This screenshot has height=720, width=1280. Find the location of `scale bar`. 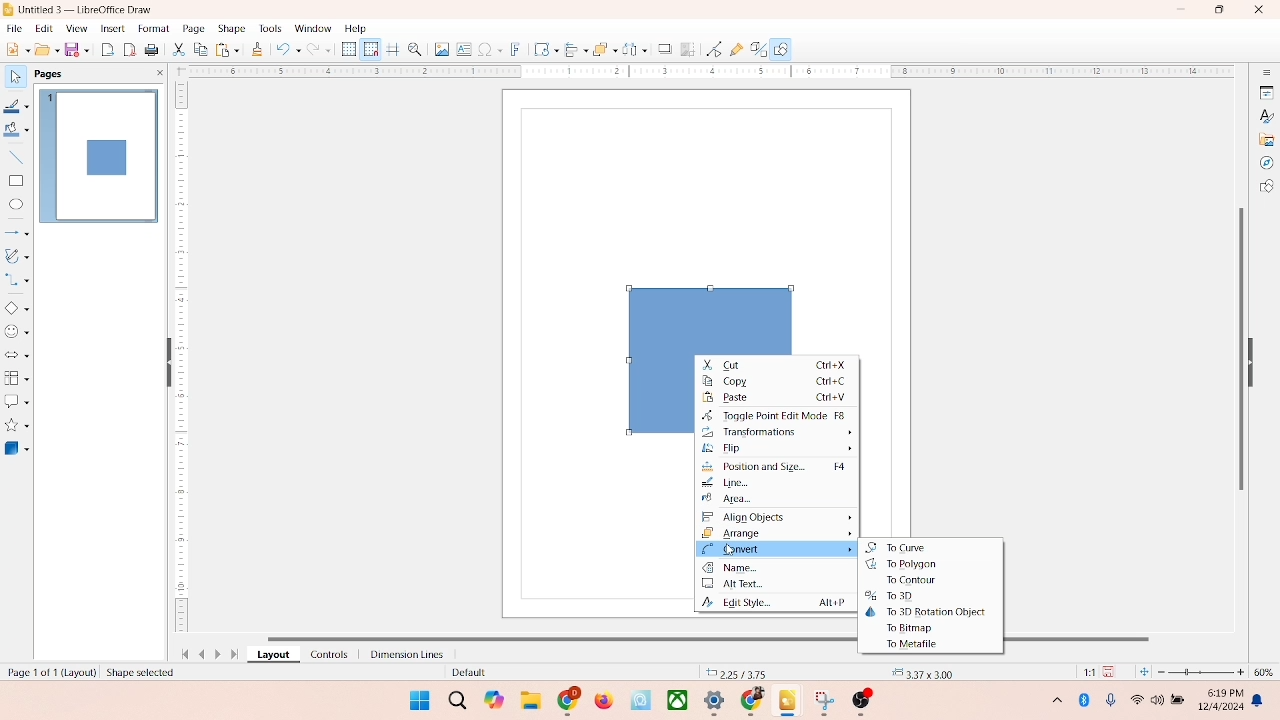

scale bar is located at coordinates (181, 360).